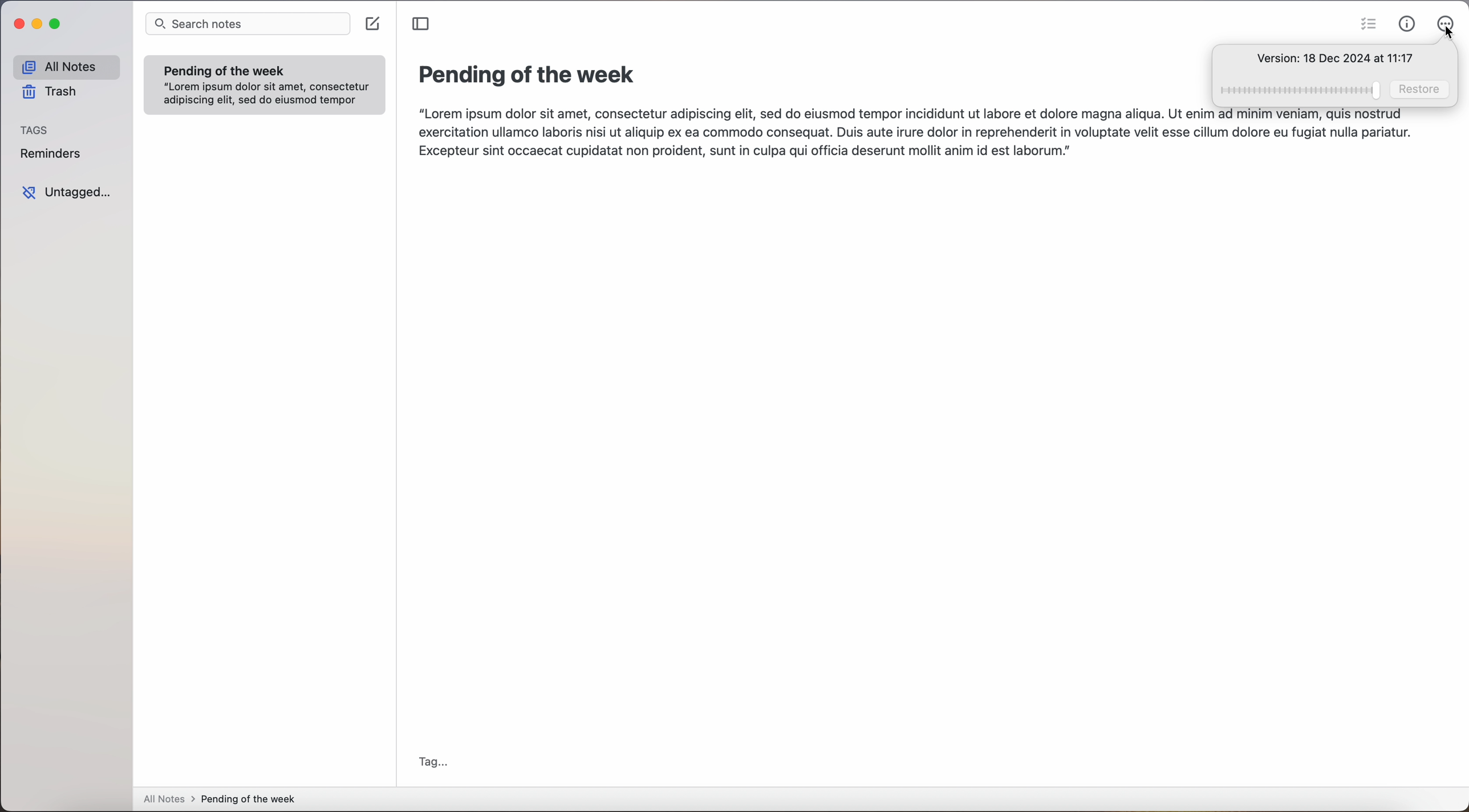  I want to click on toggle sidebar, so click(419, 25).